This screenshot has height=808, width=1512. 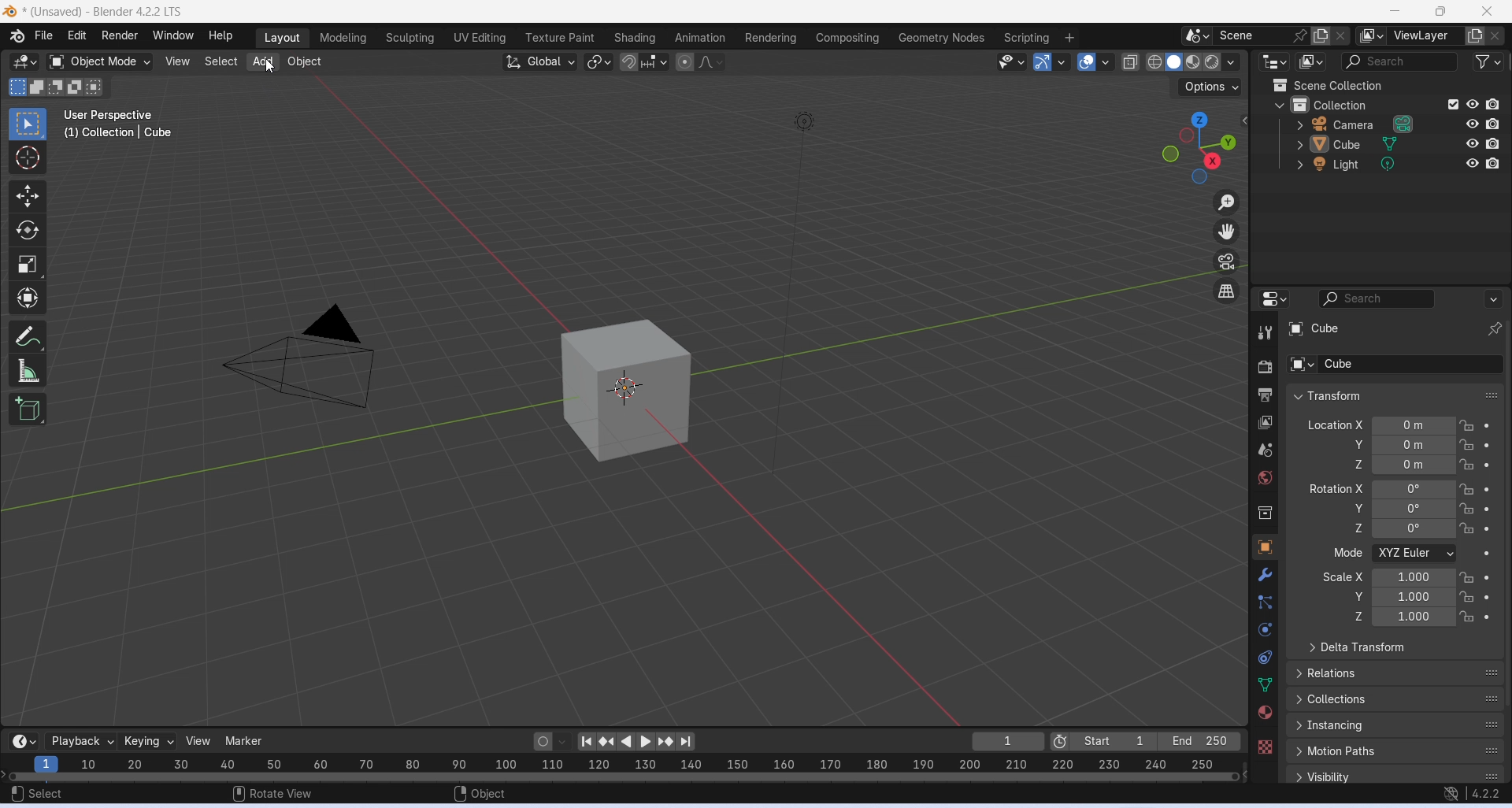 I want to click on View, so click(x=177, y=61).